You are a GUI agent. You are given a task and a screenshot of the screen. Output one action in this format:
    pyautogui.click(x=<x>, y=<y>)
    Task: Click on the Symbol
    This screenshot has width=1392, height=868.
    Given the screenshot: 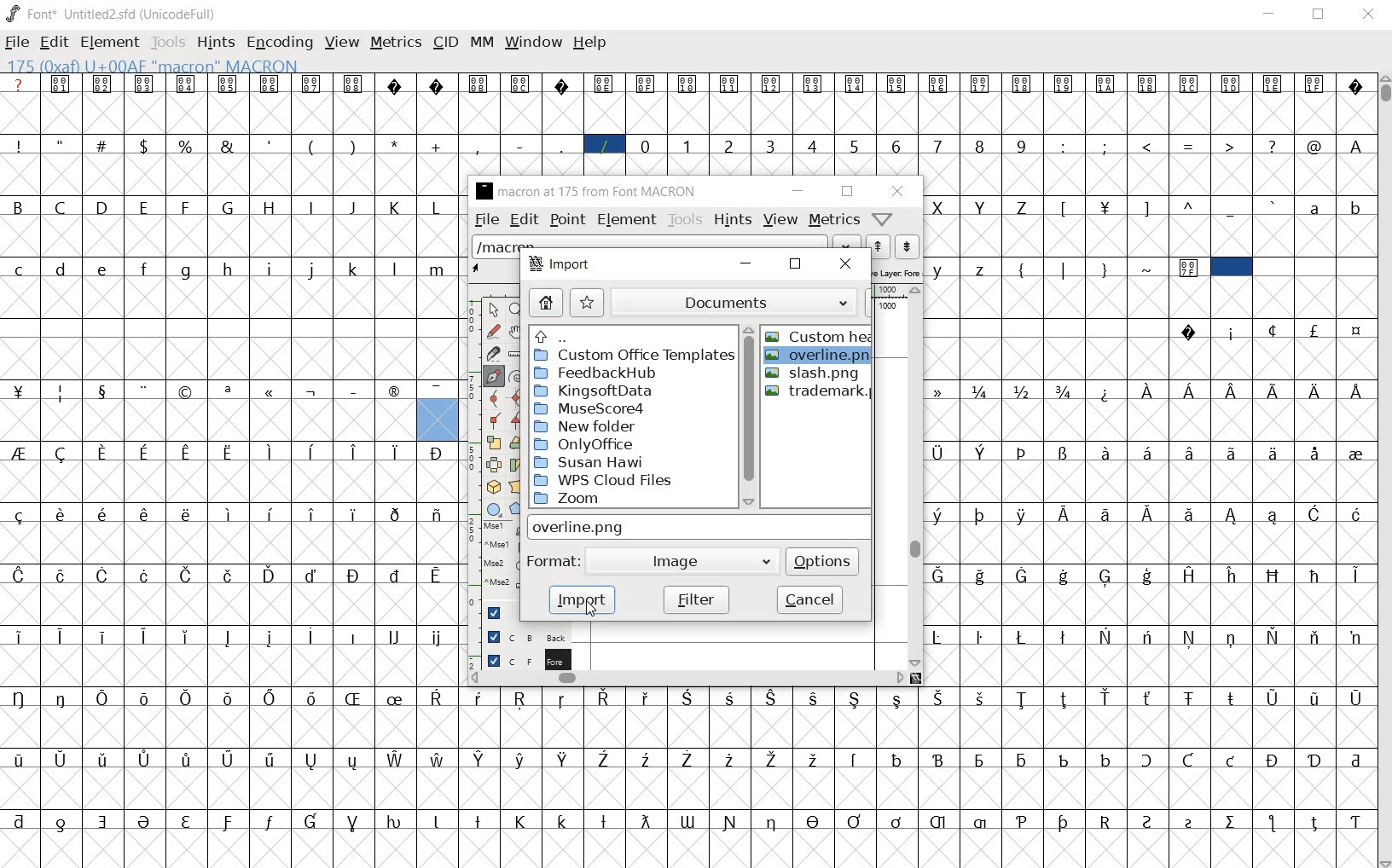 What is the action you would take?
    pyautogui.click(x=1106, y=821)
    